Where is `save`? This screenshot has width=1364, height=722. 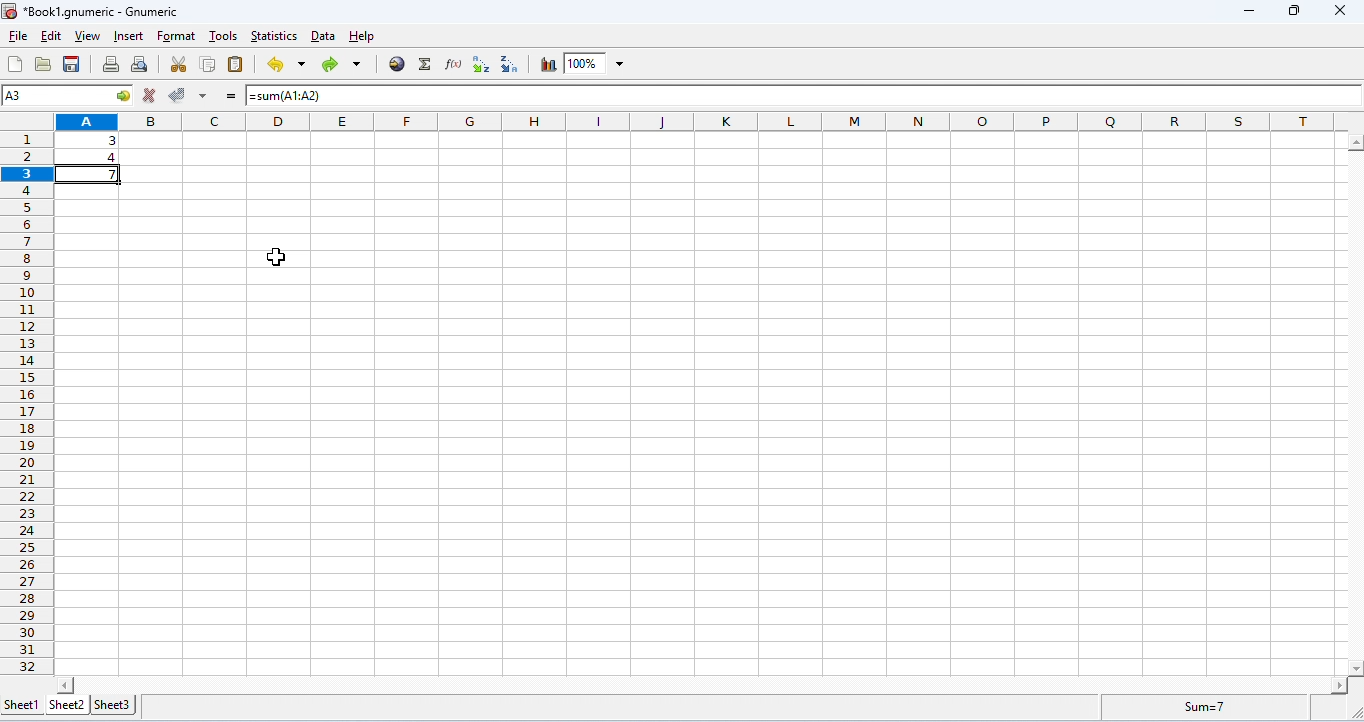
save is located at coordinates (72, 64).